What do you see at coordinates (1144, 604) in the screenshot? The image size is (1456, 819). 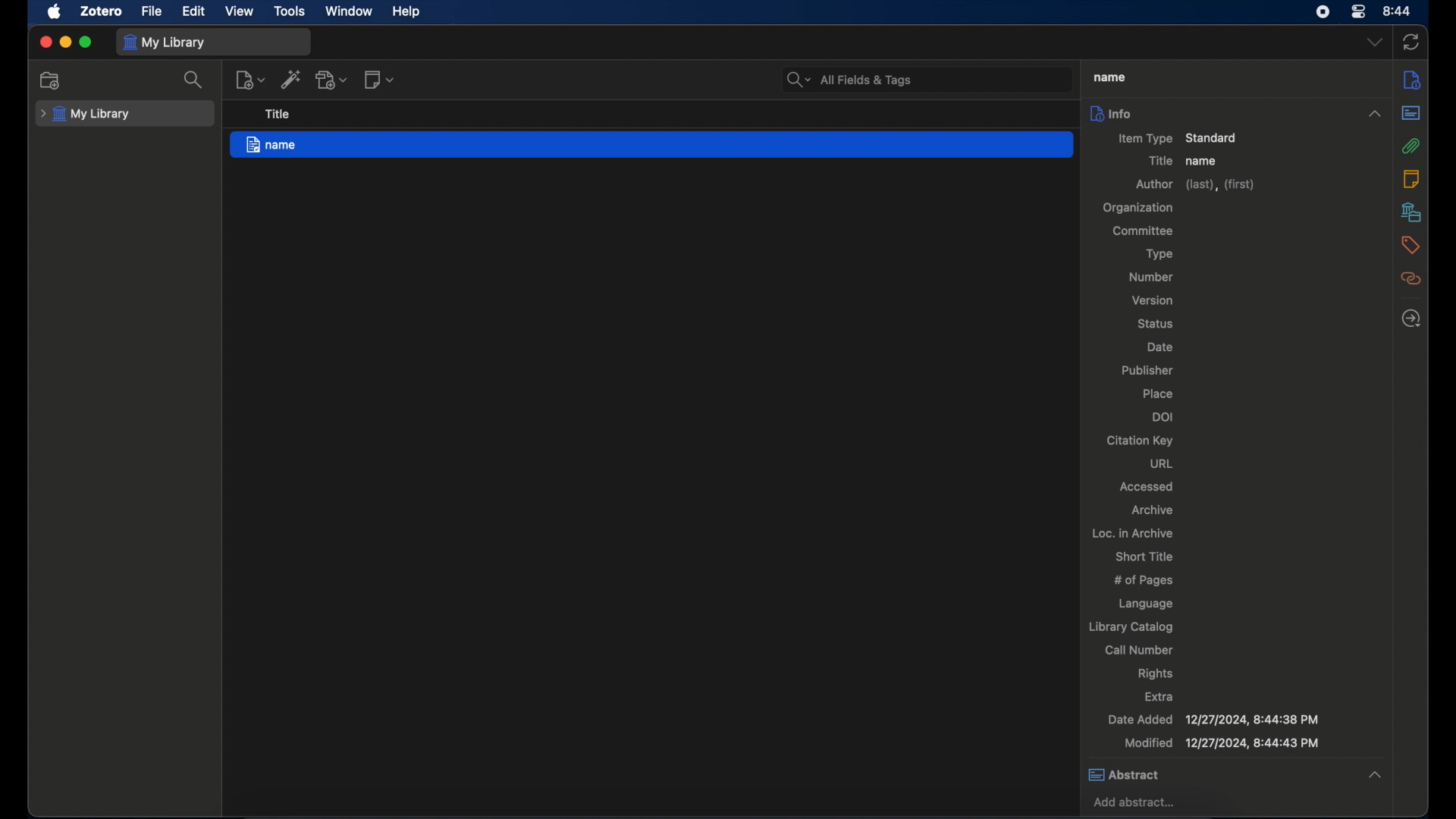 I see `language` at bounding box center [1144, 604].